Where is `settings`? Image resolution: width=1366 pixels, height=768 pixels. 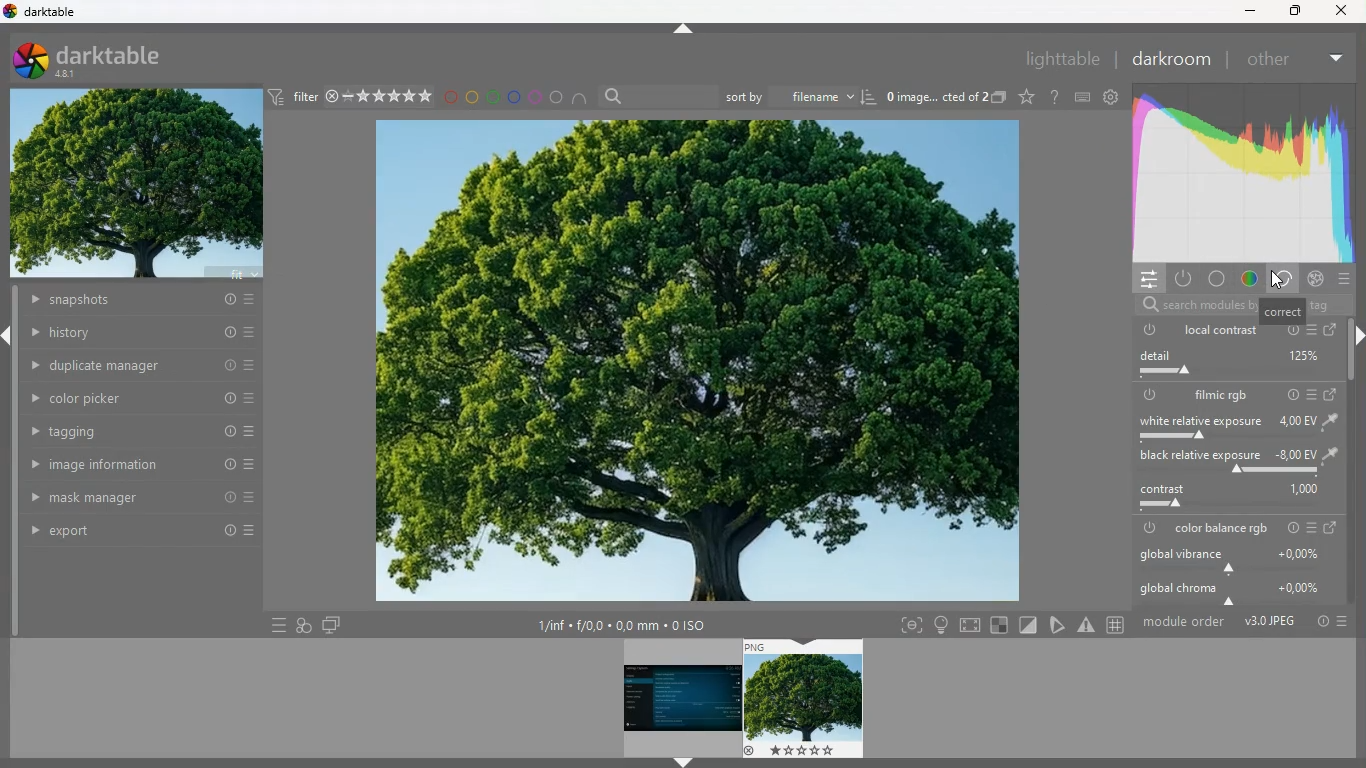
settings is located at coordinates (1147, 279).